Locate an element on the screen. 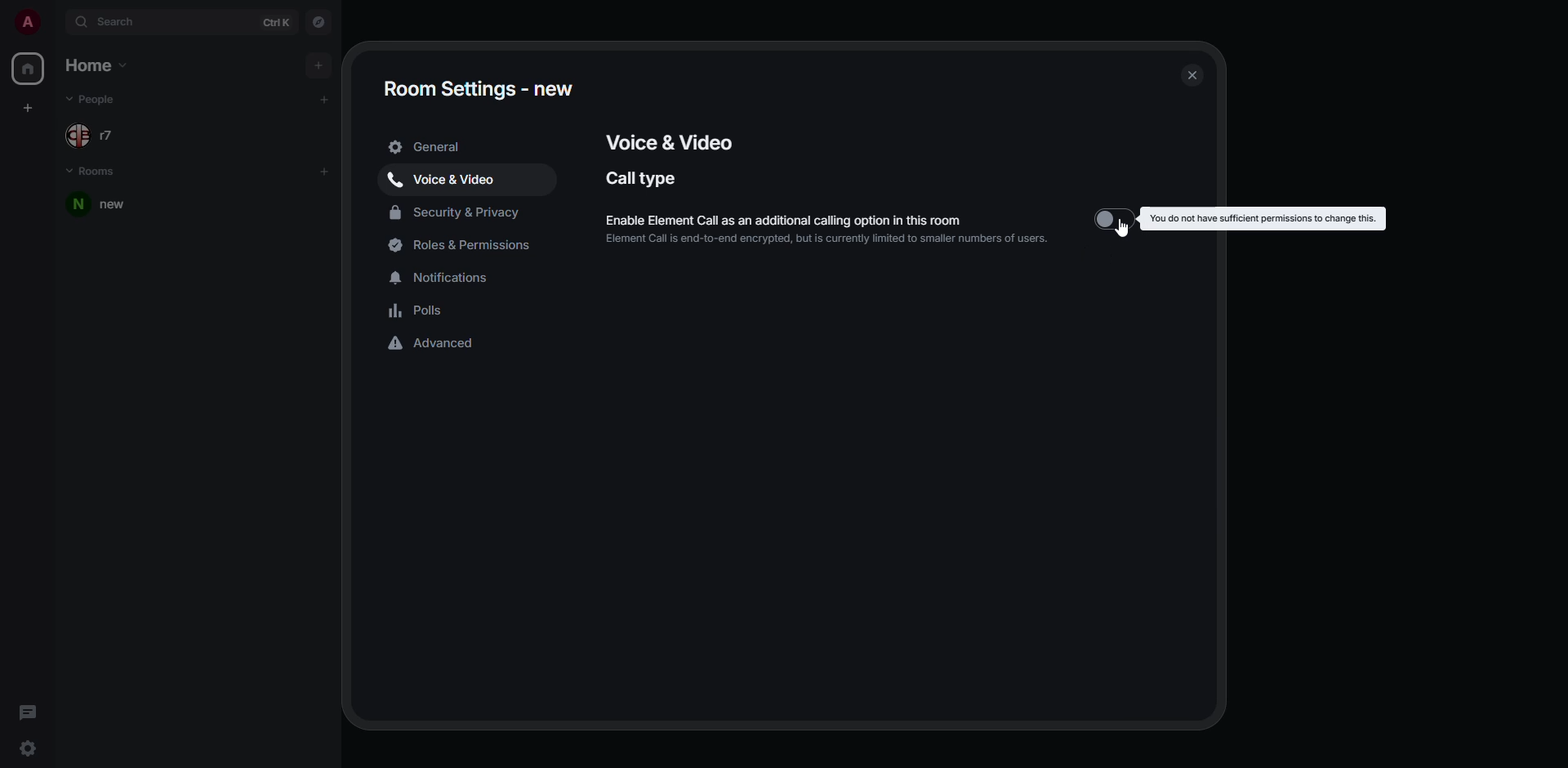 The height and width of the screenshot is (768, 1568). rooms is located at coordinates (91, 168).